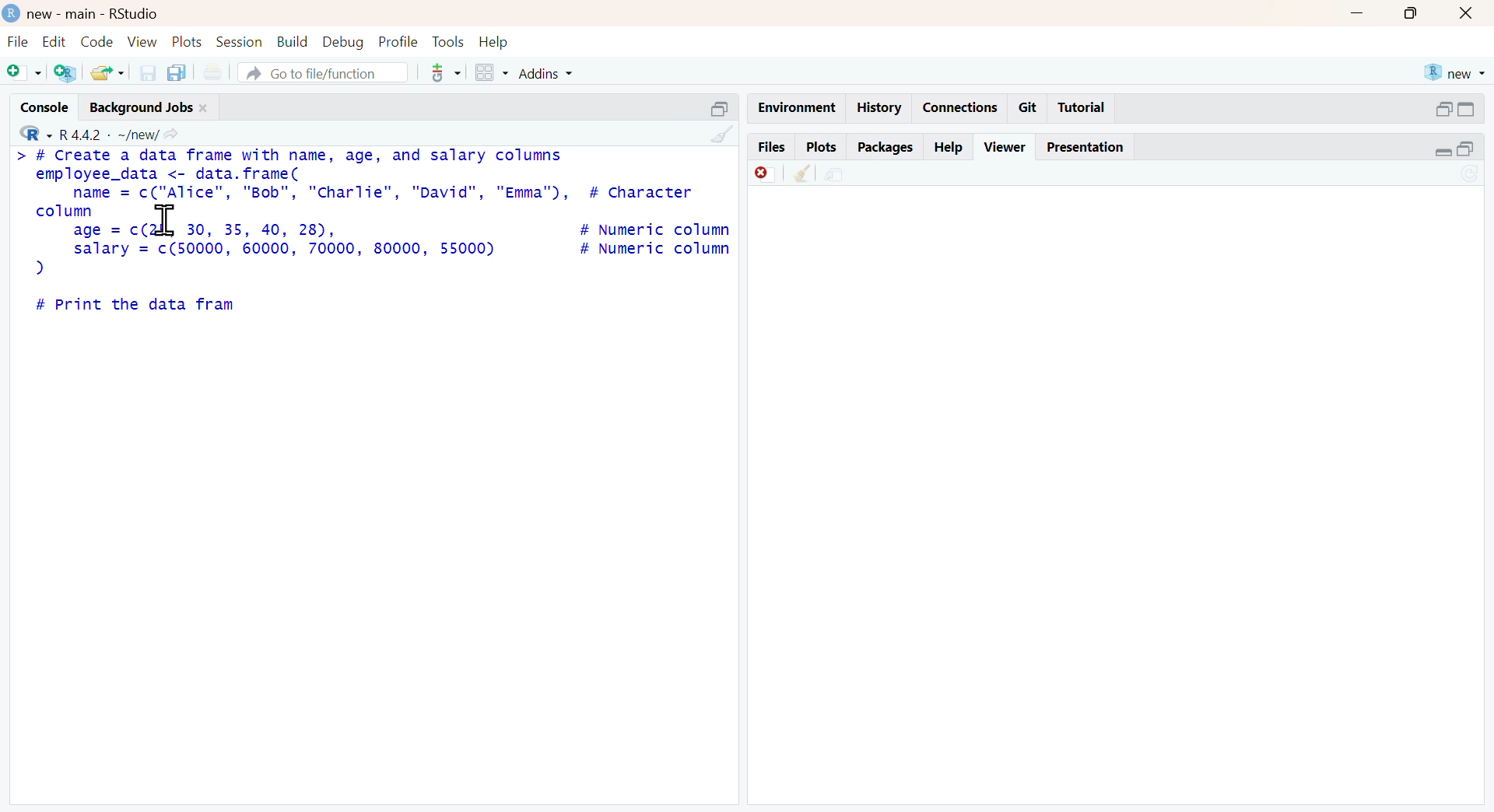  I want to click on Environment, so click(791, 104).